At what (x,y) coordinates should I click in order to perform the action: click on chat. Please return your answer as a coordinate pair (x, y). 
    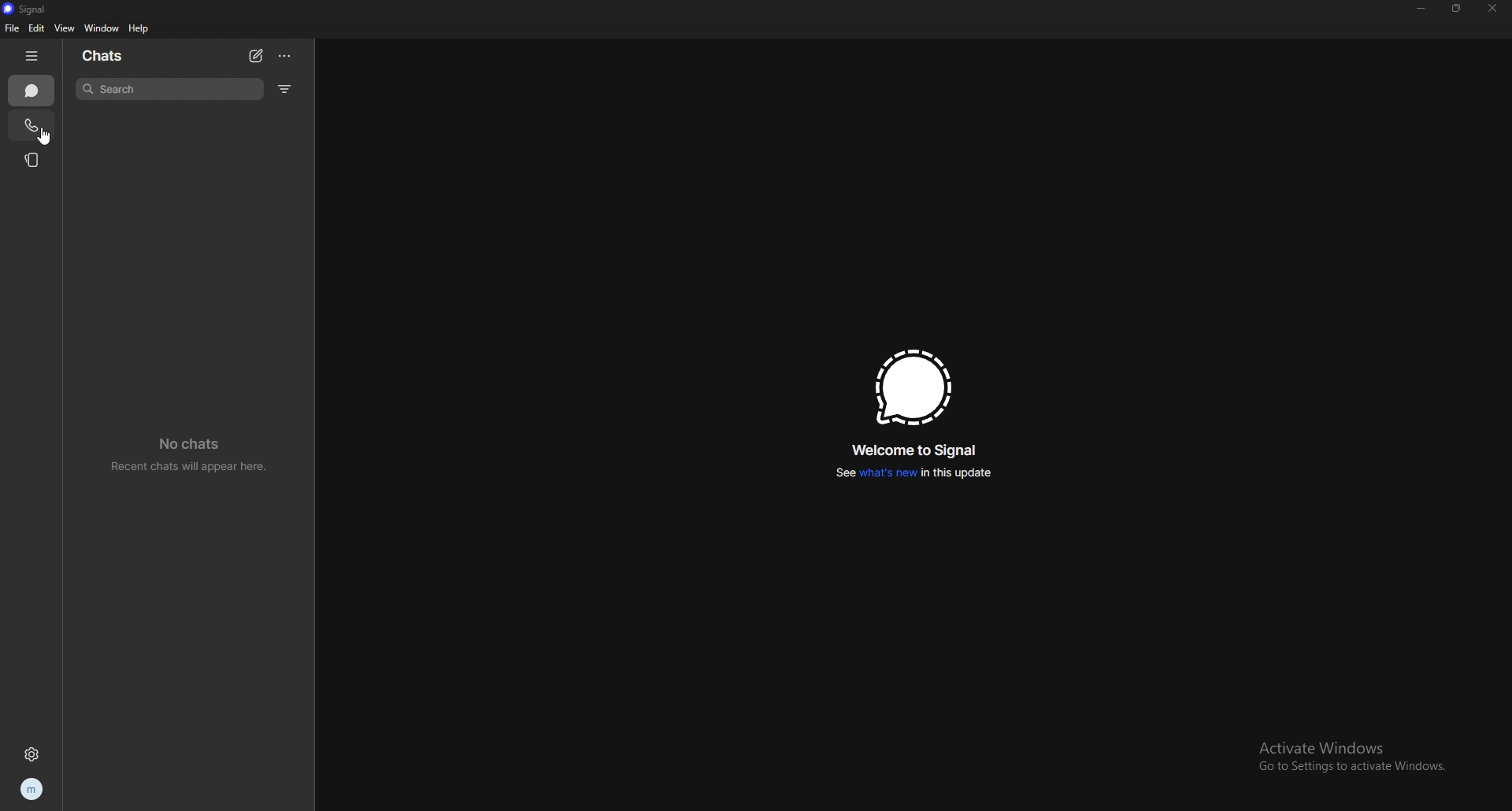
    Looking at the image, I should click on (32, 91).